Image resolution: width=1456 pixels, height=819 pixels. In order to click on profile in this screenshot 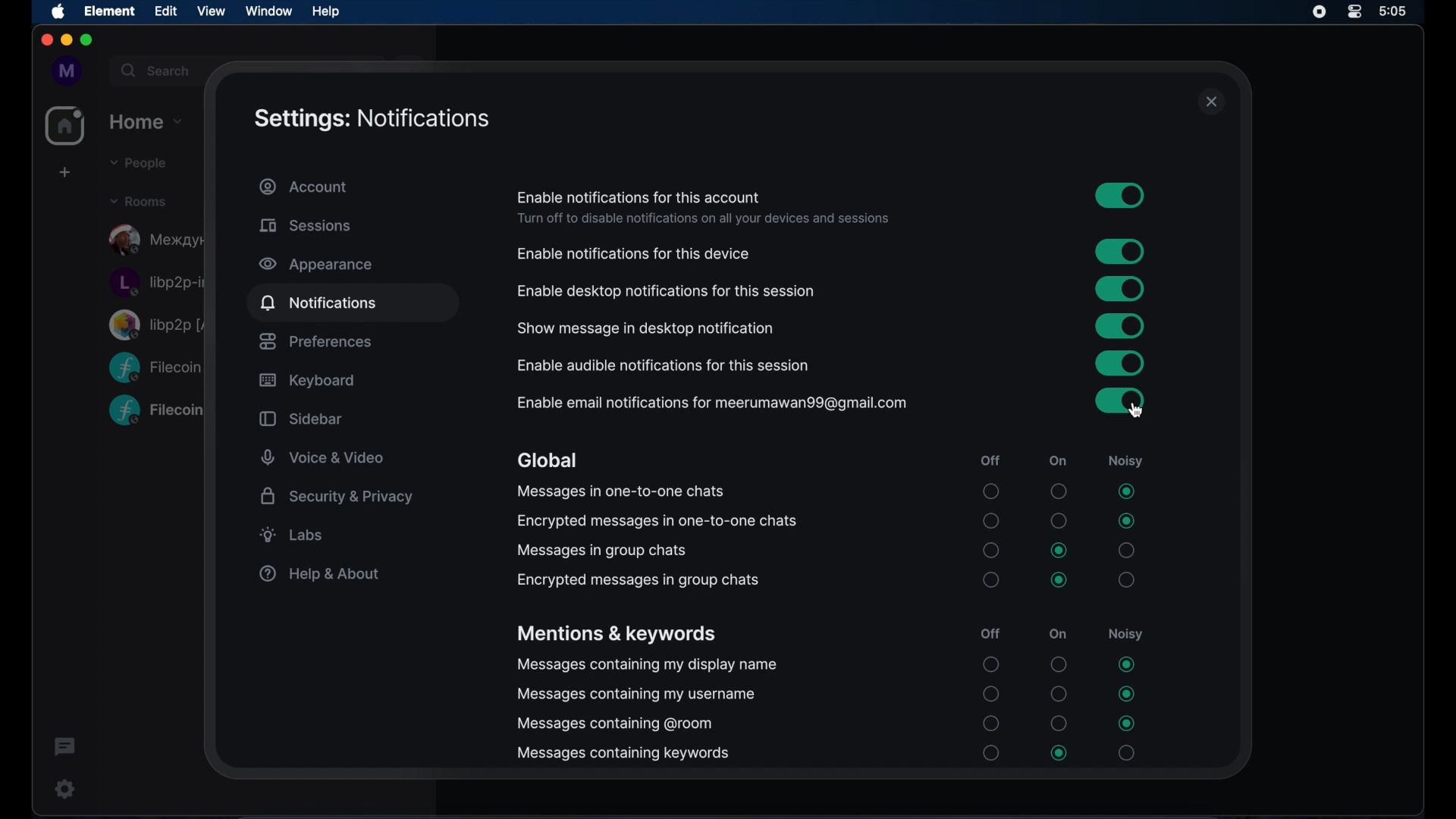, I will do `click(63, 71)`.